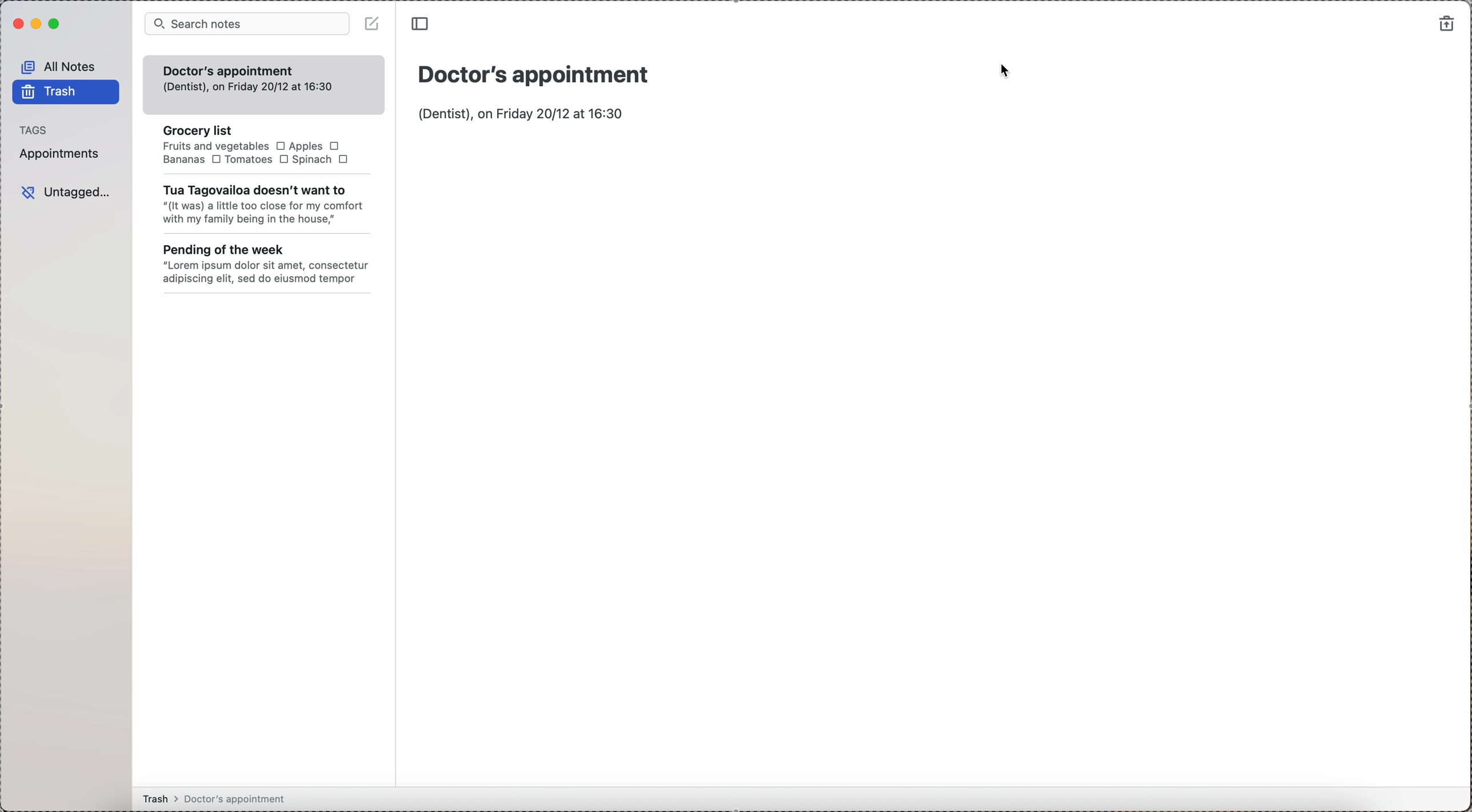 Image resolution: width=1472 pixels, height=812 pixels. What do you see at coordinates (265, 279) in the screenshot?
I see `adipiscing elit, sed do eiusmod tempor` at bounding box center [265, 279].